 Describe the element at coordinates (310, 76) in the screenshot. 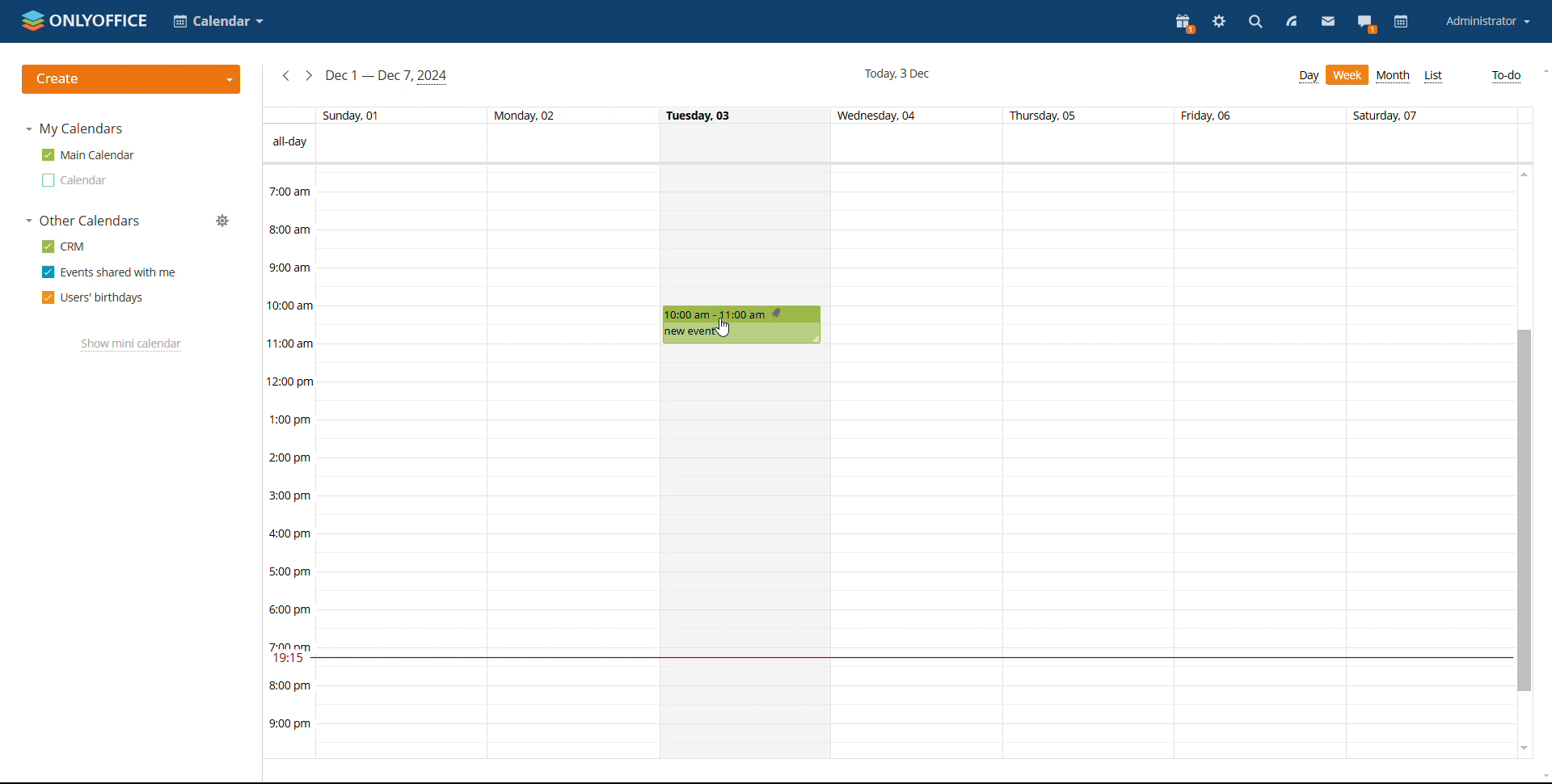

I see `next week` at that location.